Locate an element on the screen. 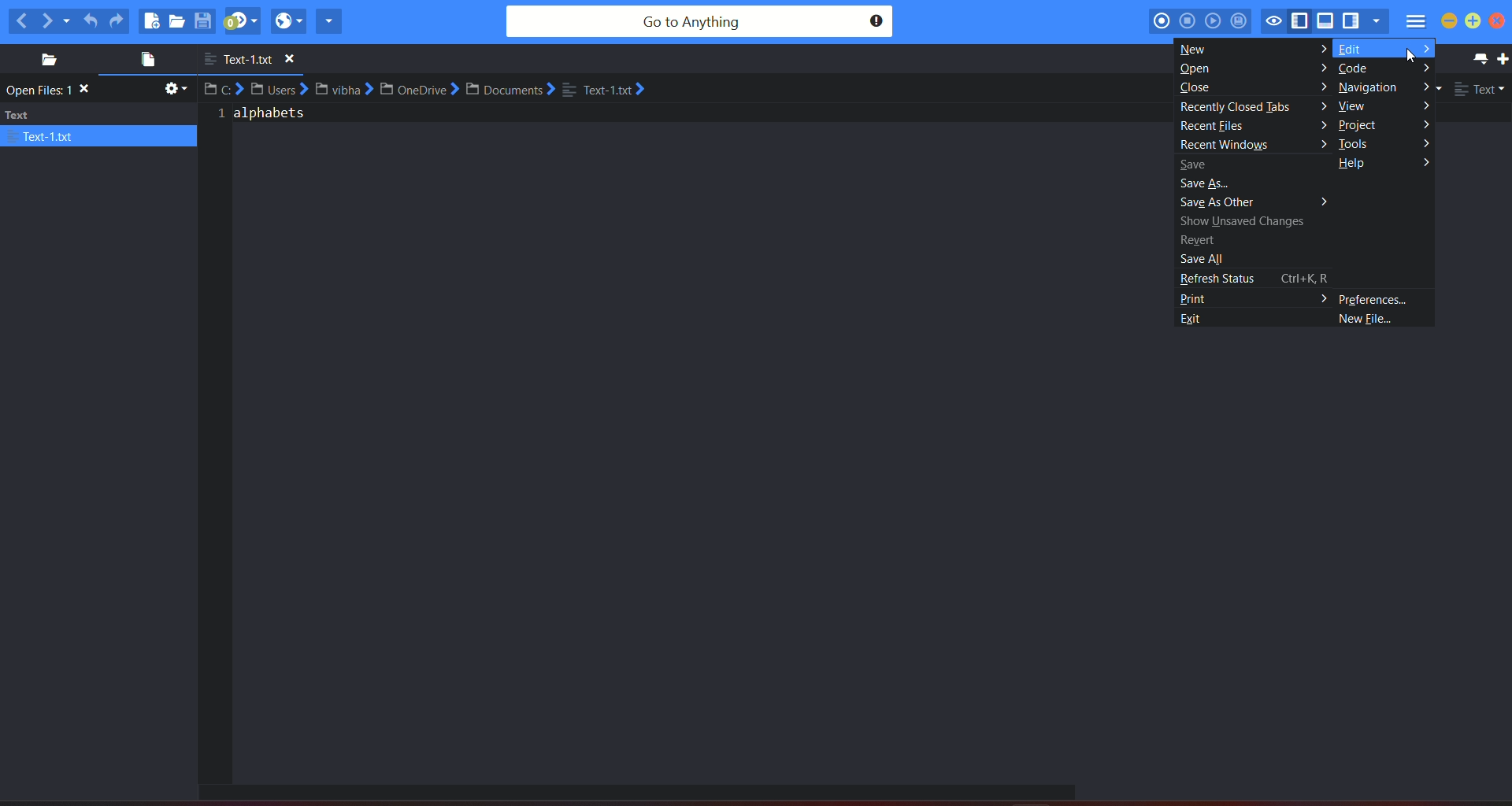 The height and width of the screenshot is (806, 1512). More is located at coordinates (1315, 125).